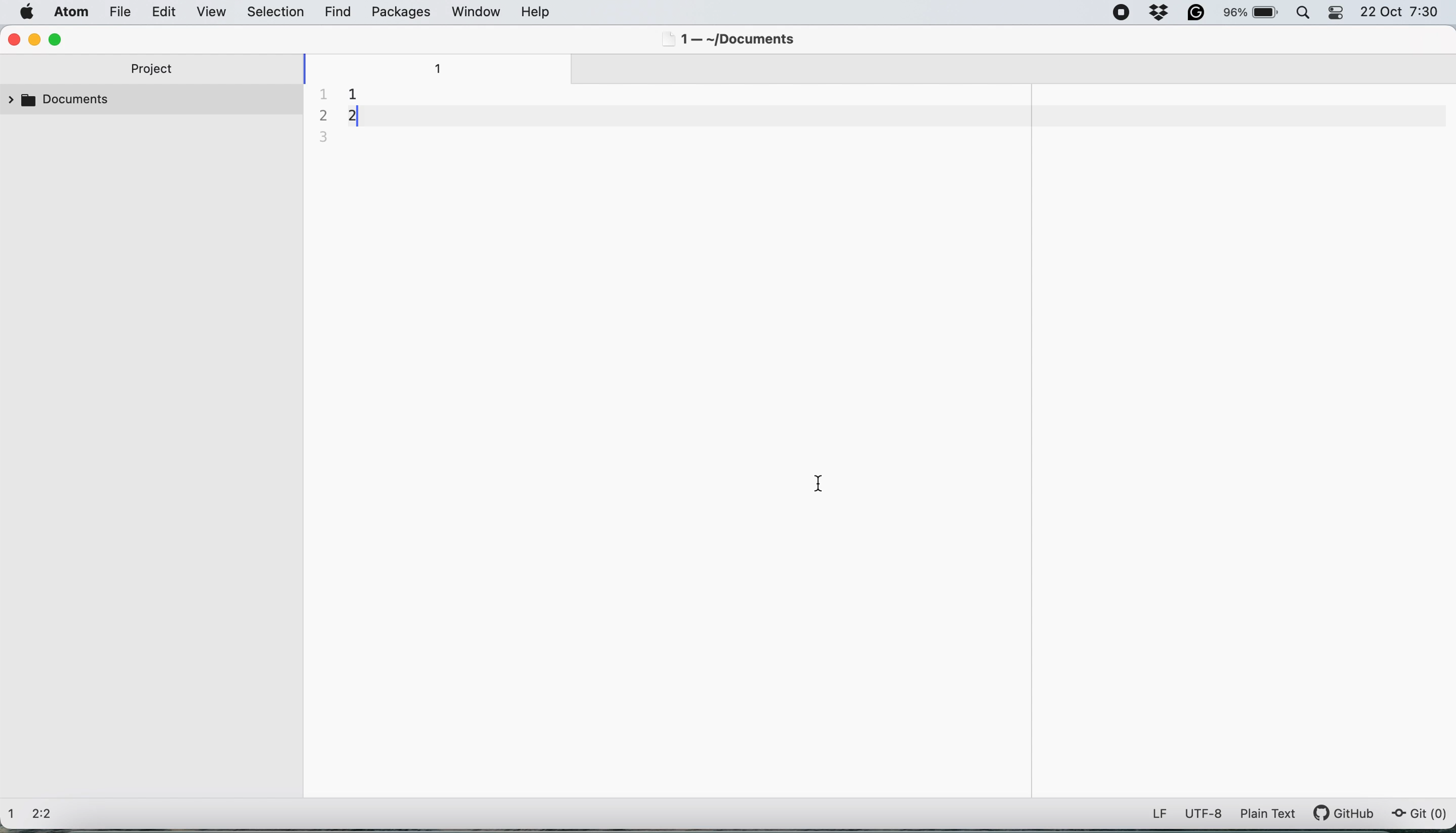 The image size is (1456, 833). I want to click on close, so click(13, 39).